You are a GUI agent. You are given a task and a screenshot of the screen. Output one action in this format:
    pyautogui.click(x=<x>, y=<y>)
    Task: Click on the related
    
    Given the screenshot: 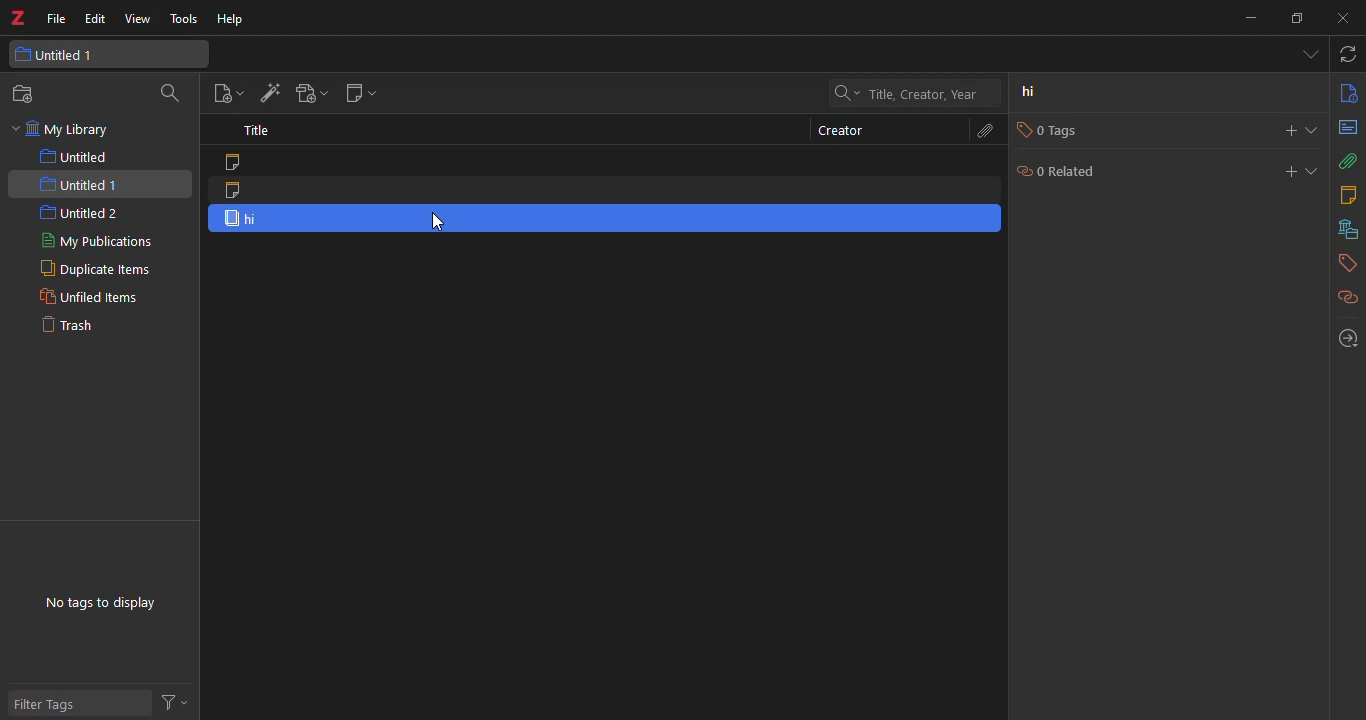 What is the action you would take?
    pyautogui.click(x=1347, y=299)
    